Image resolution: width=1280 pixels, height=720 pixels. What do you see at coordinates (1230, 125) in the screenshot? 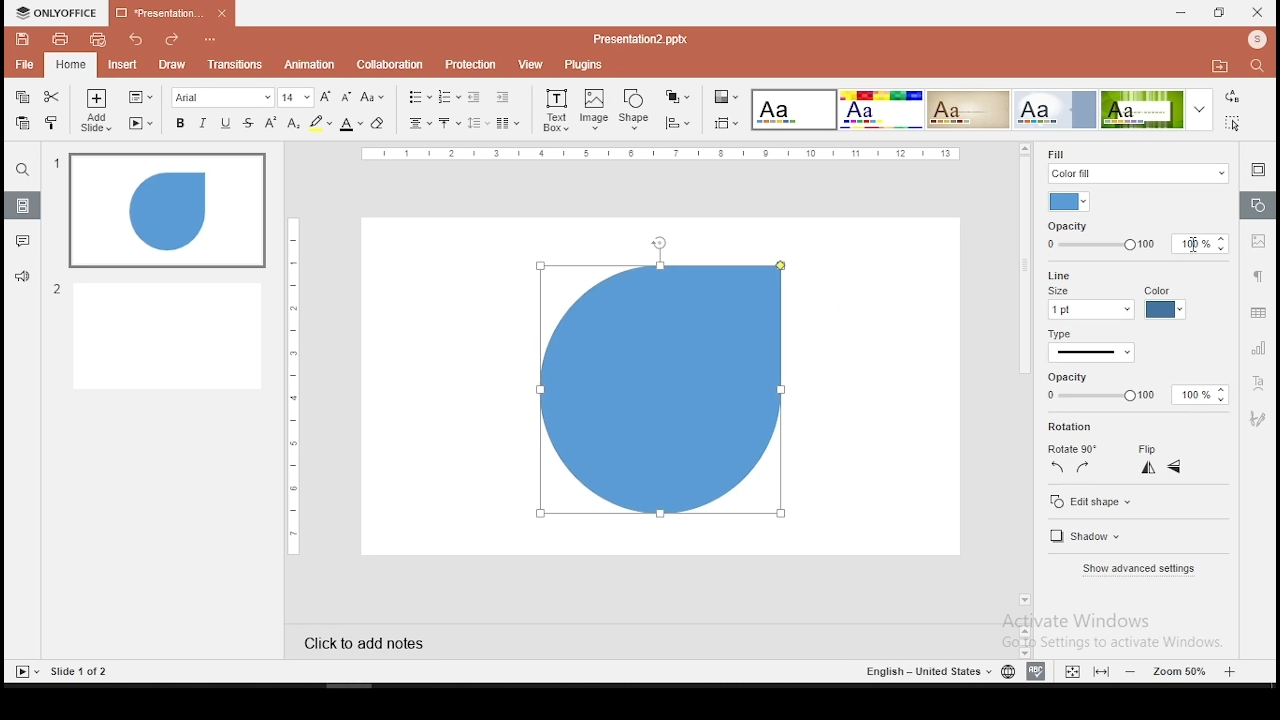
I see `select all` at bounding box center [1230, 125].